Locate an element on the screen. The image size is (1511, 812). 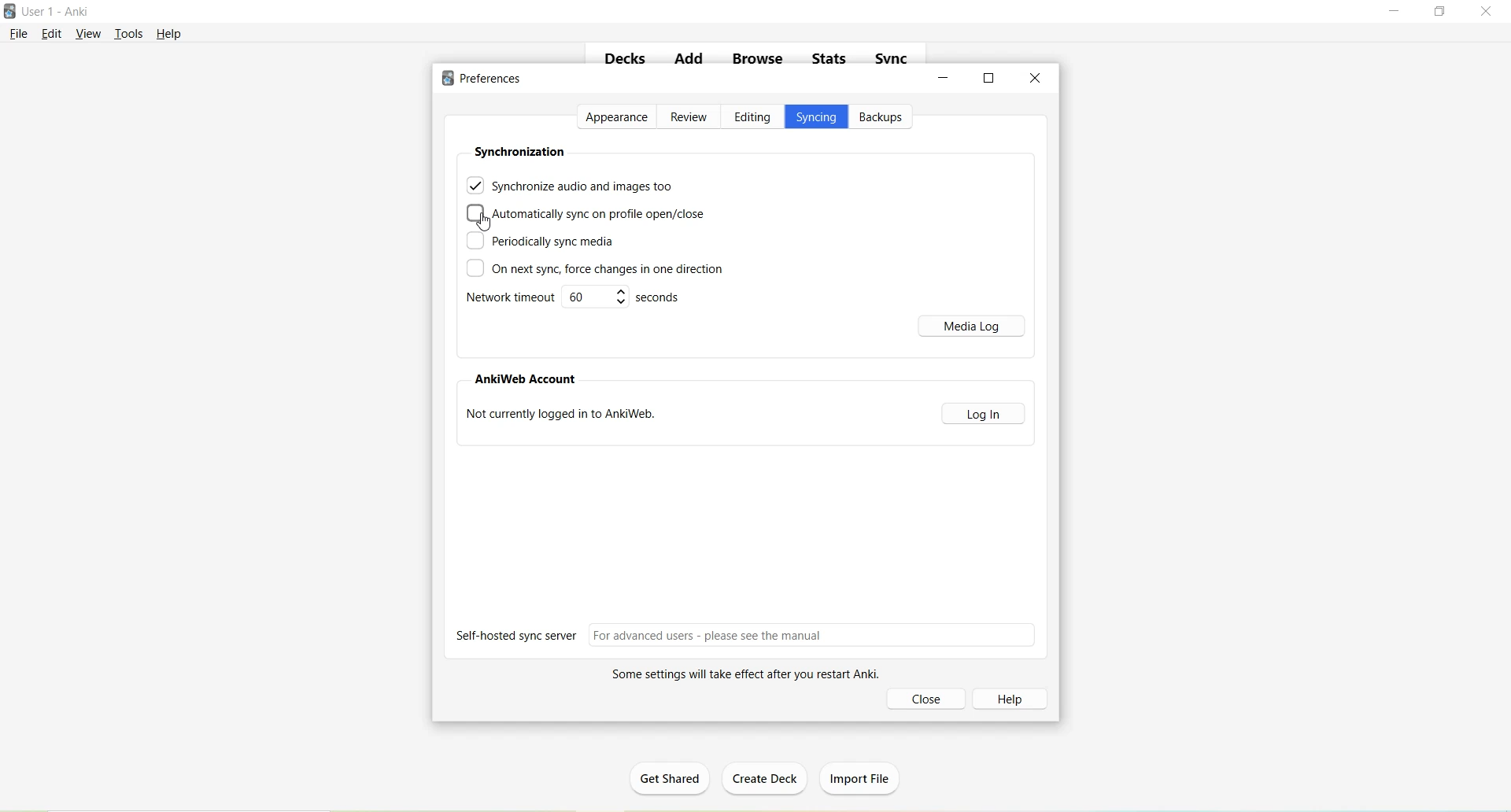
Media log is located at coordinates (974, 326).